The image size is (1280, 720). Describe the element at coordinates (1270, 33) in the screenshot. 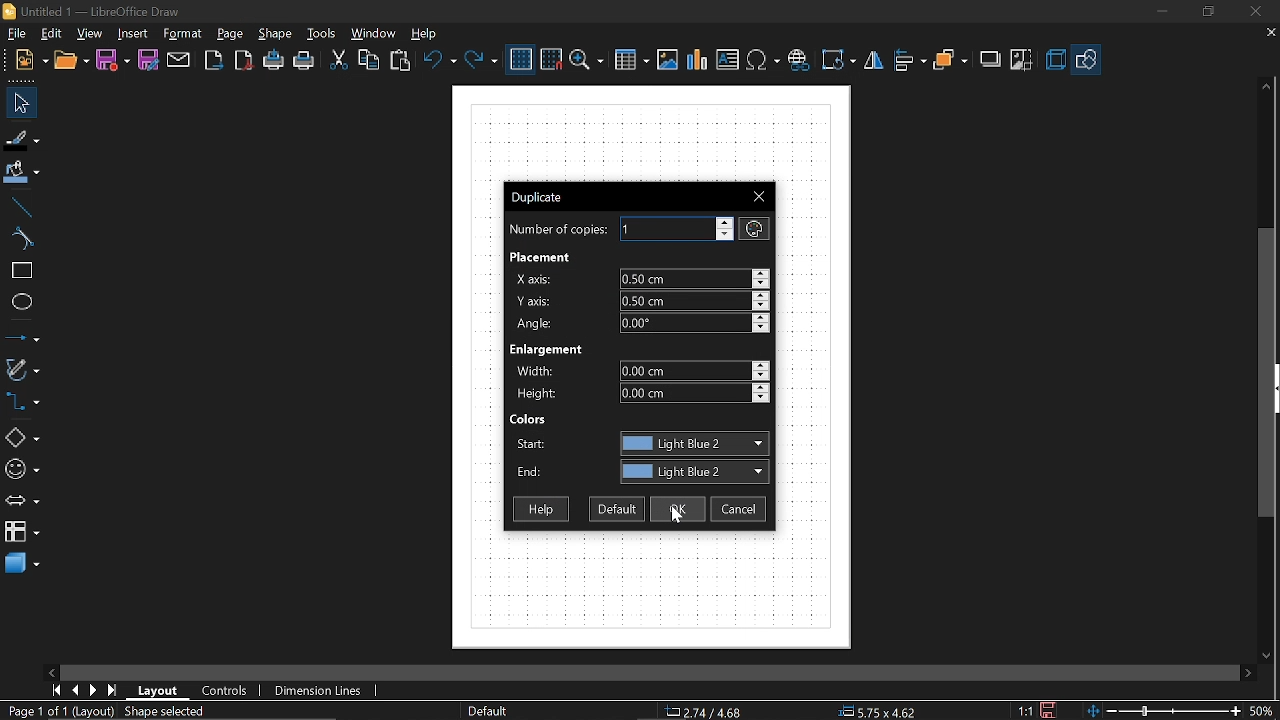

I see `CLose tab` at that location.